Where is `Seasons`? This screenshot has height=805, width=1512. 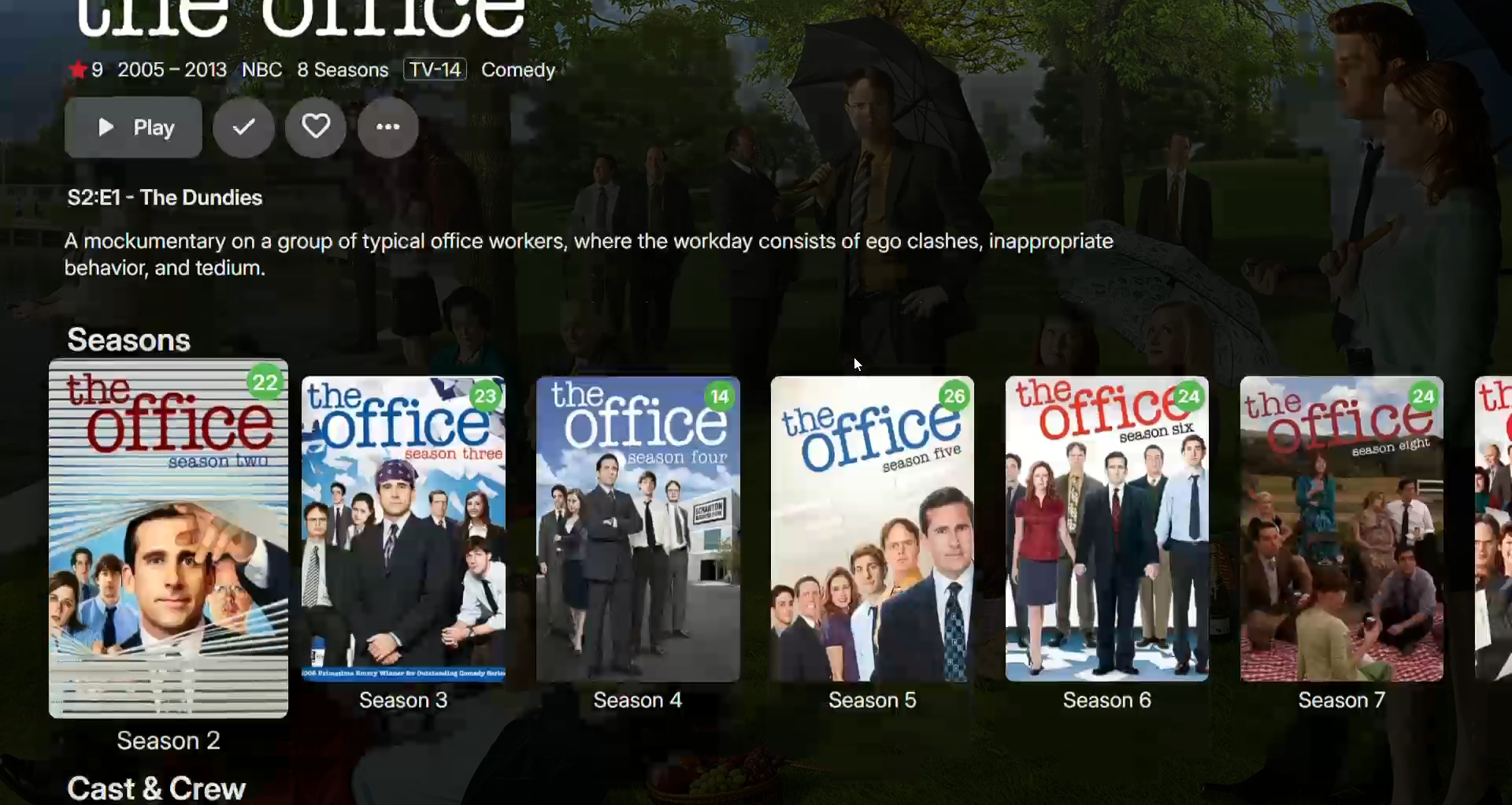 Seasons is located at coordinates (129, 339).